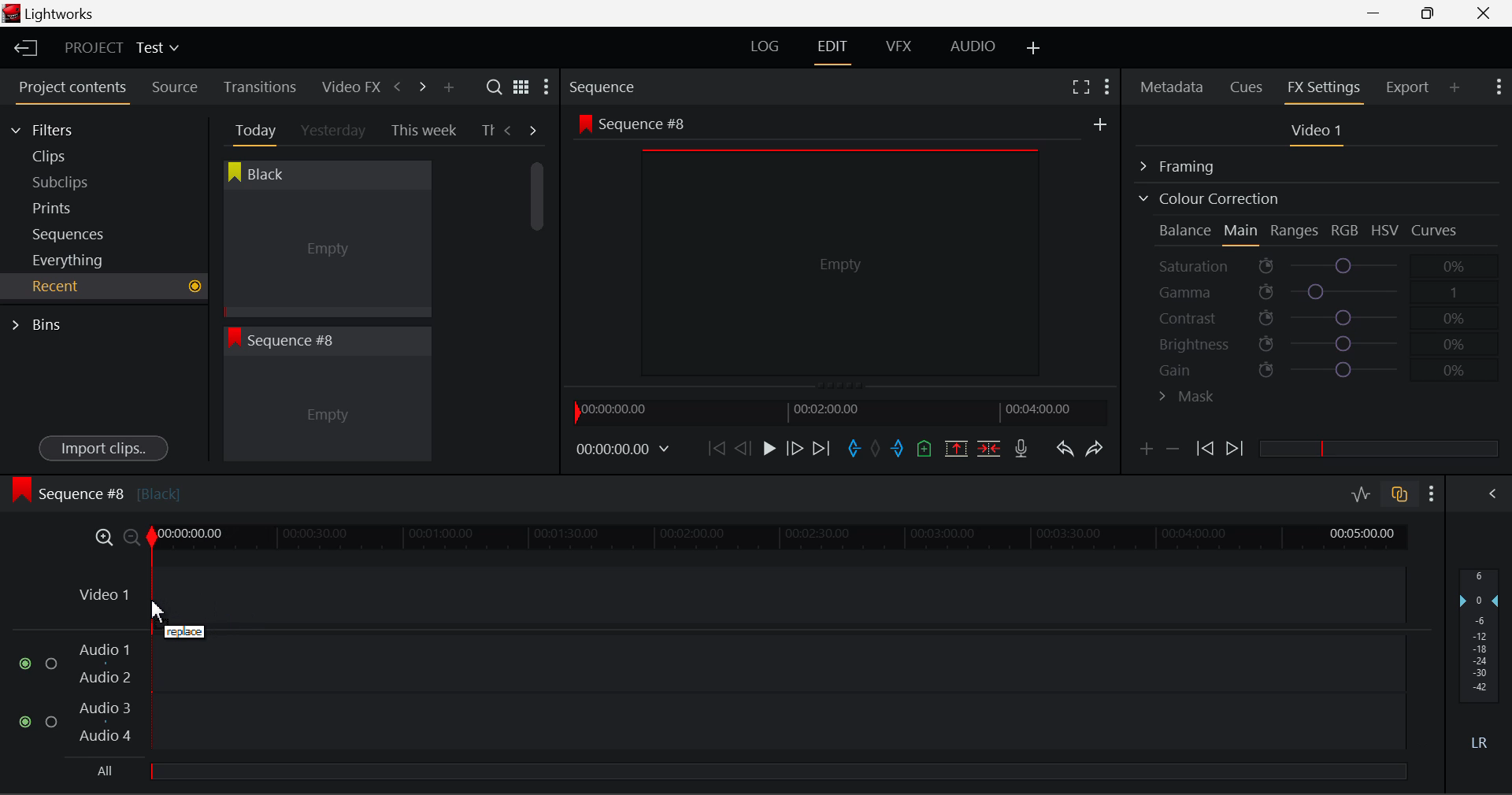 This screenshot has width=1512, height=795. Describe the element at coordinates (1173, 84) in the screenshot. I see `Metadata Panel` at that location.